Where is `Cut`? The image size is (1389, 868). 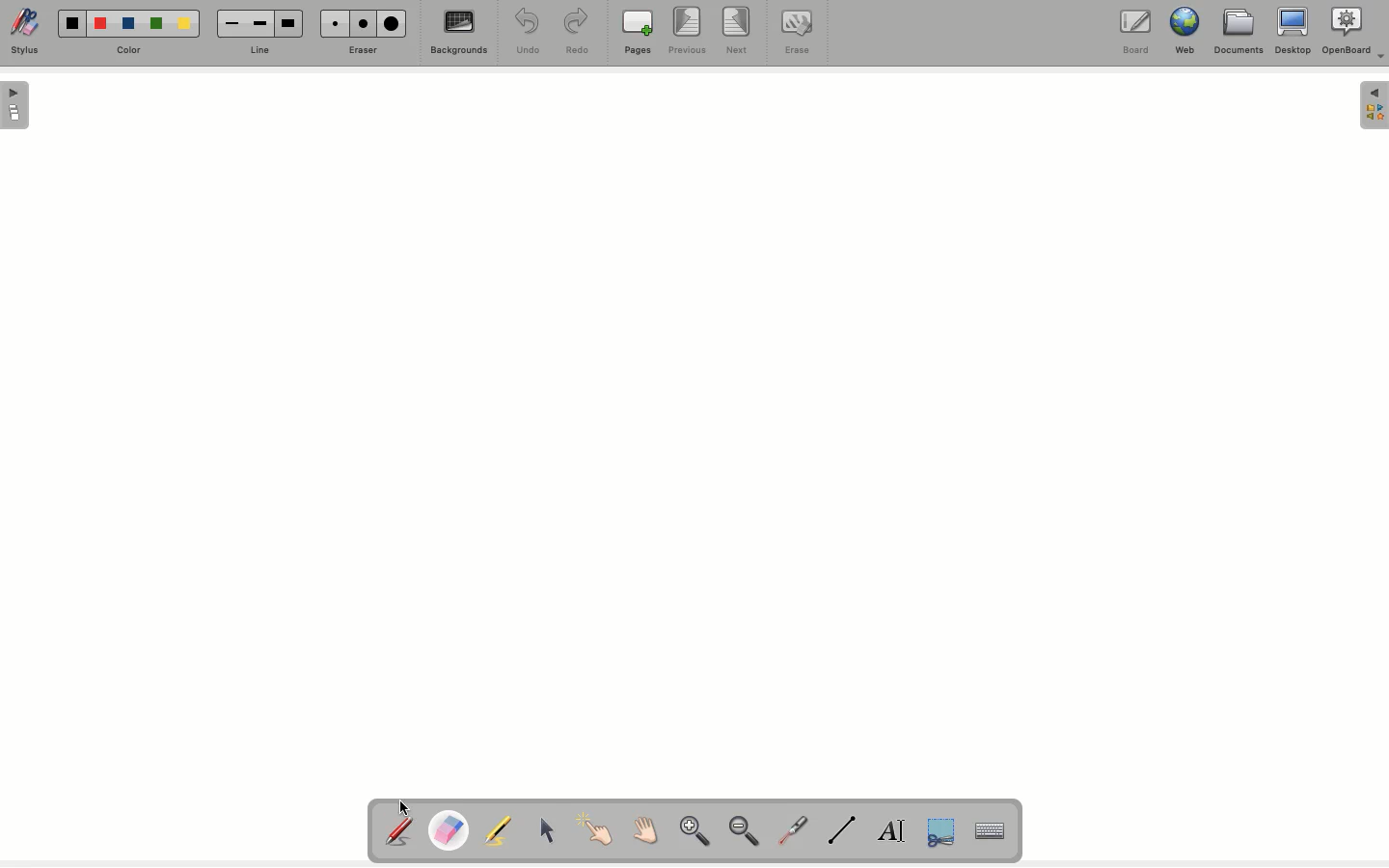
Cut is located at coordinates (940, 833).